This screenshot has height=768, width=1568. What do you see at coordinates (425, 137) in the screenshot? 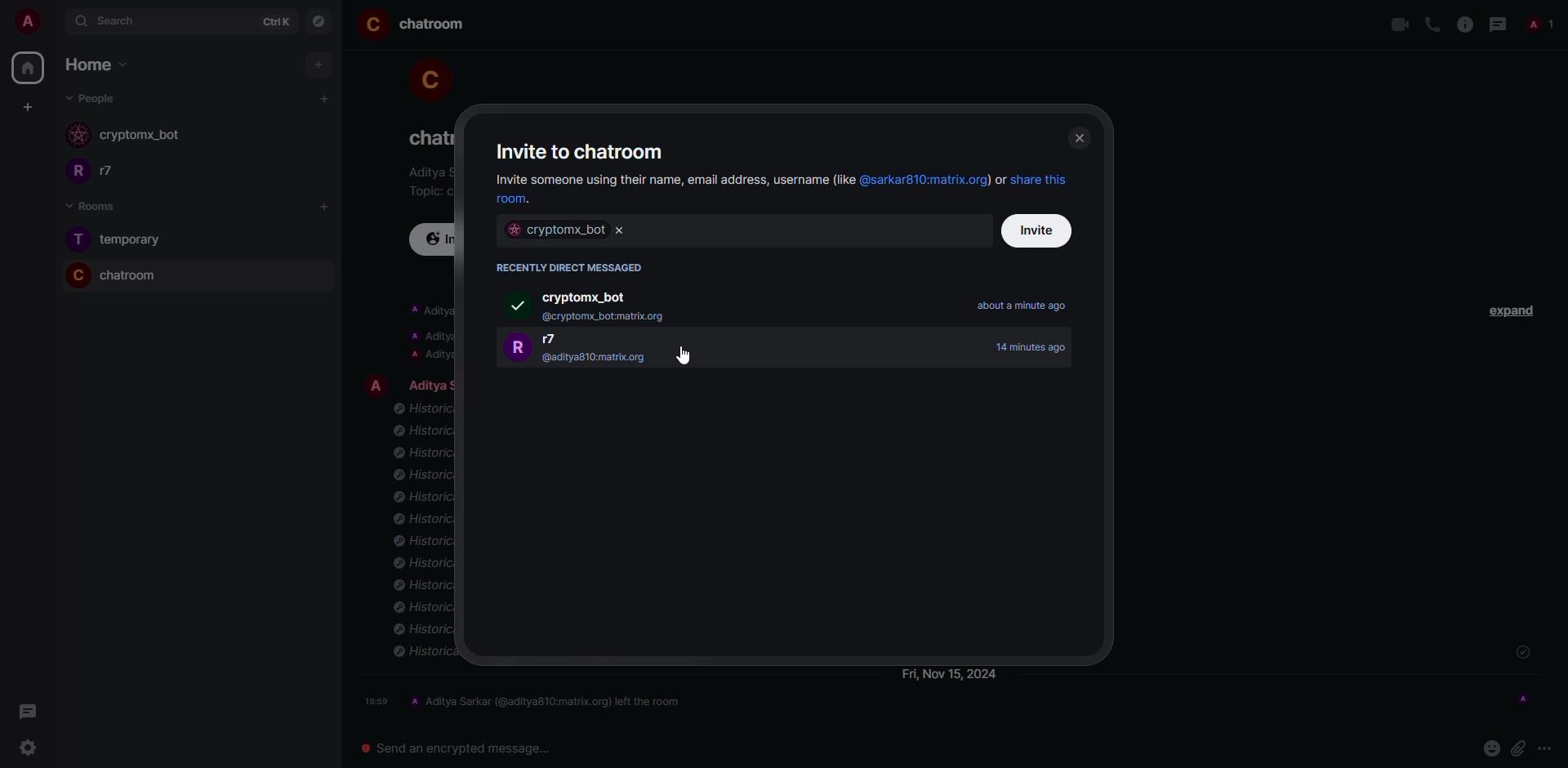
I see `room` at bounding box center [425, 137].